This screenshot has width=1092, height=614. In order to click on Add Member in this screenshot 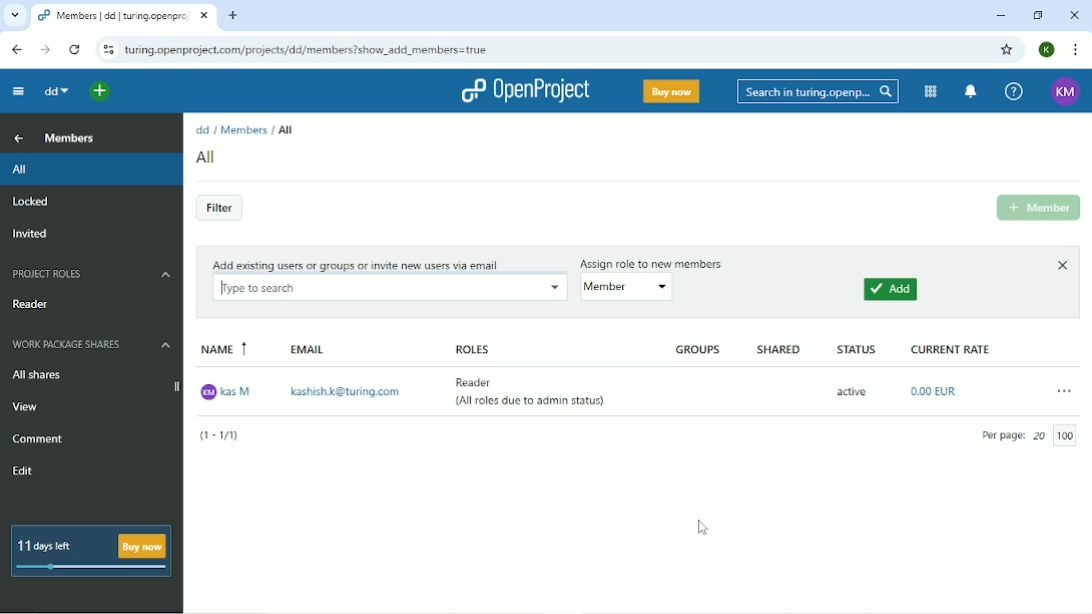, I will do `click(1037, 208)`.